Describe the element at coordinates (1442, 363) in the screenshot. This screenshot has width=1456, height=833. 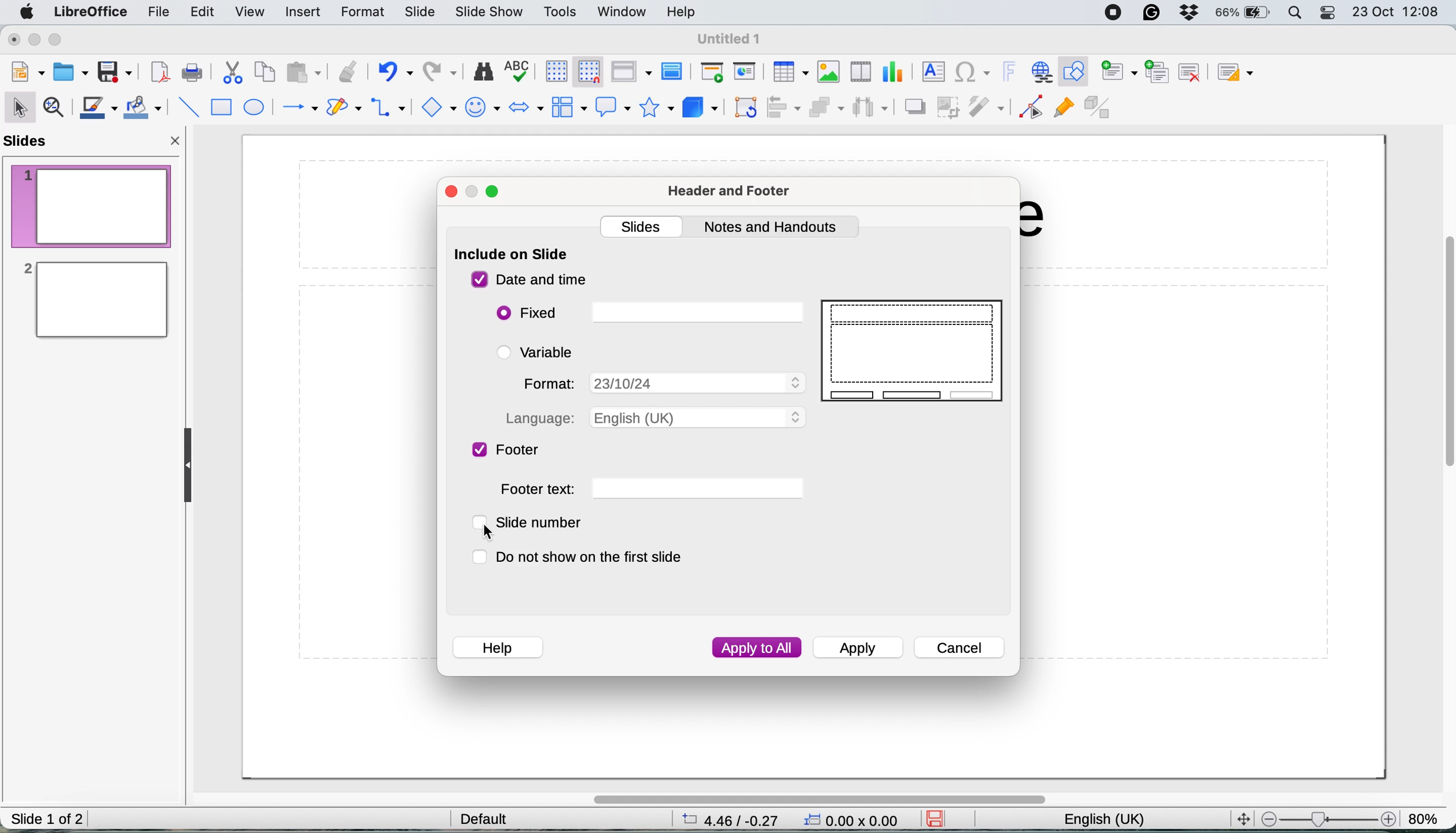
I see `vertical scroll bar` at that location.